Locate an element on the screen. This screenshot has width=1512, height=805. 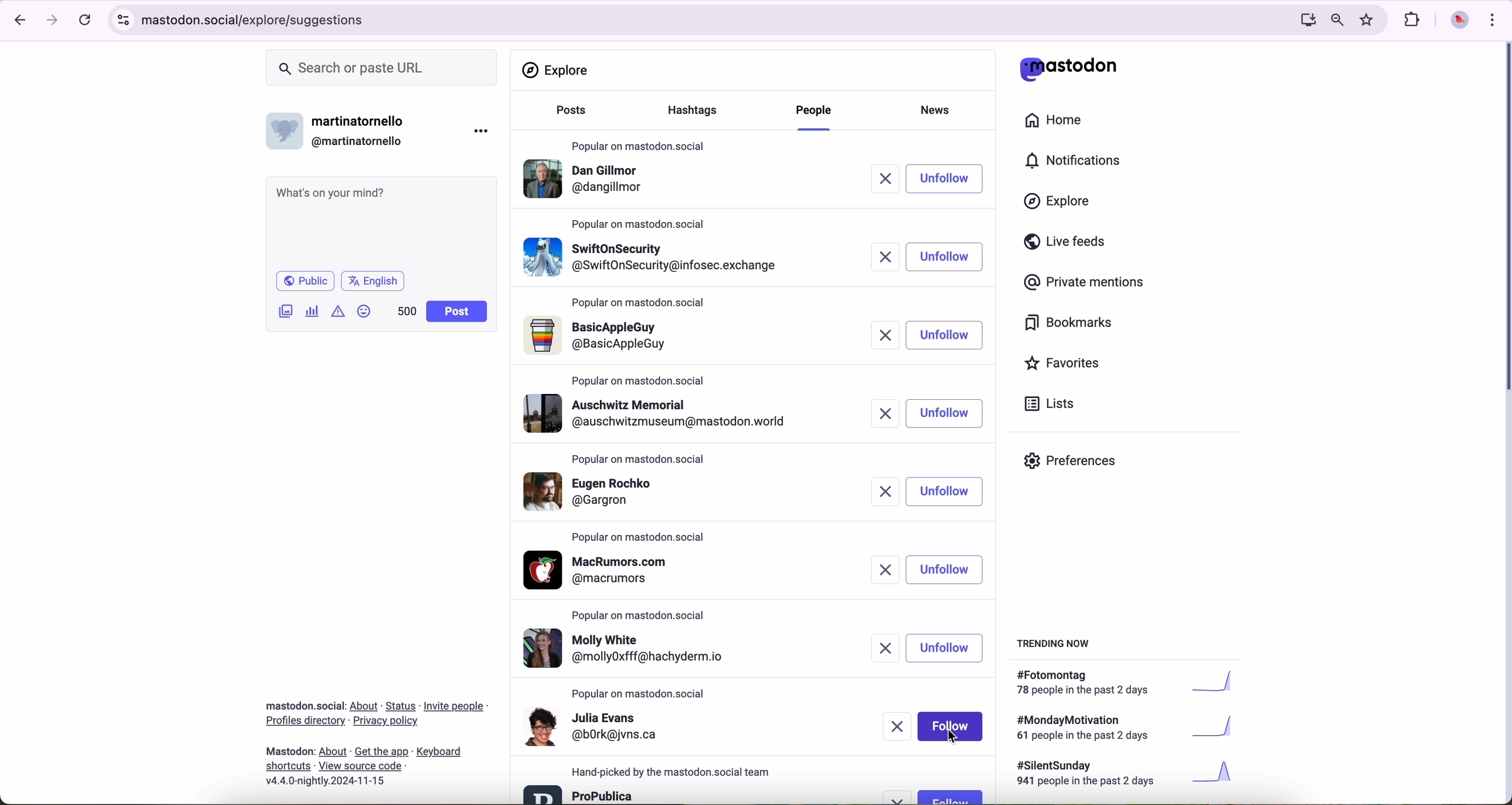
post button is located at coordinates (457, 312).